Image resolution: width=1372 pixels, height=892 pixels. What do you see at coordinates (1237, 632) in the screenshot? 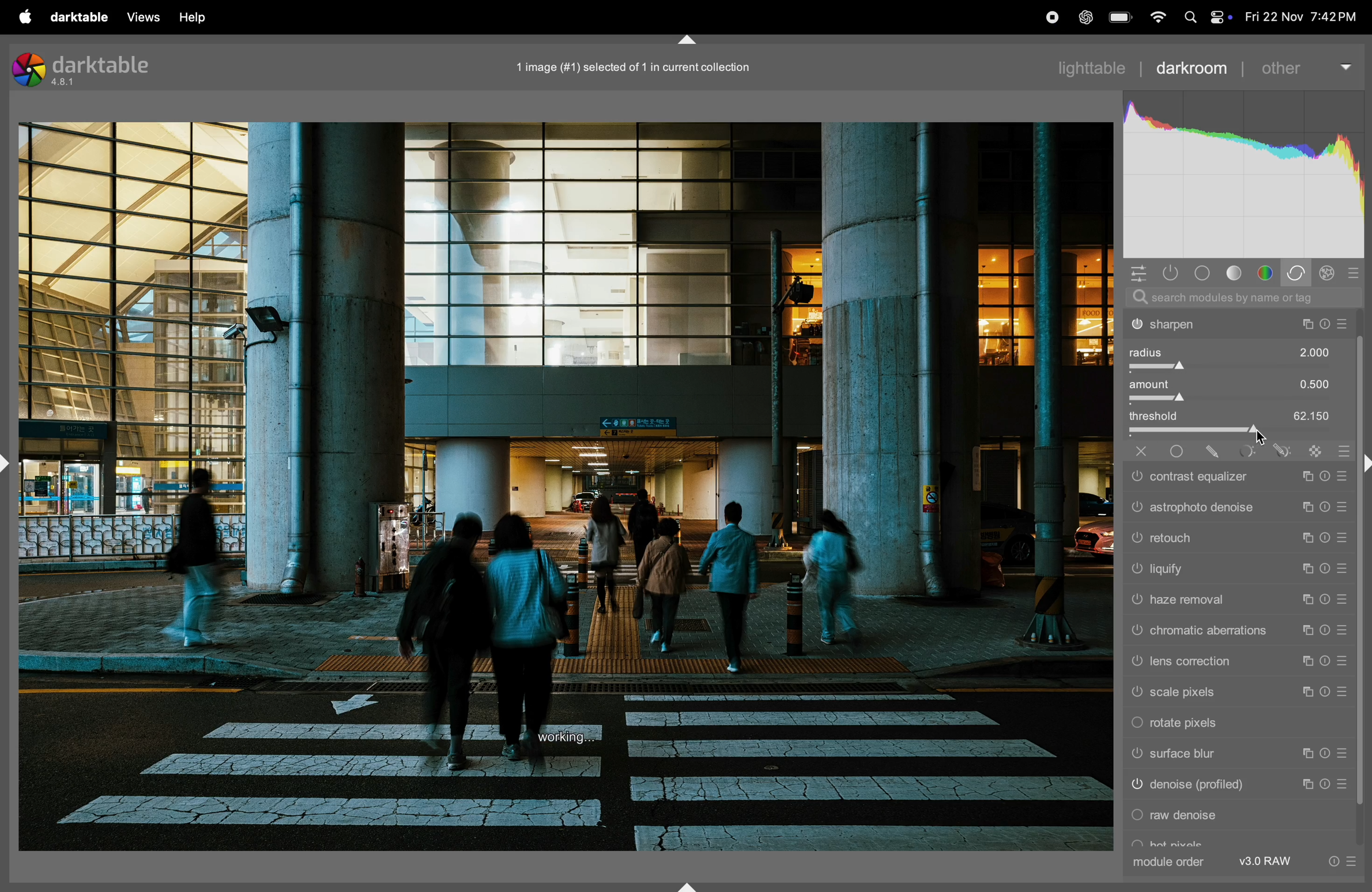
I see `chromatic abbretations` at bounding box center [1237, 632].